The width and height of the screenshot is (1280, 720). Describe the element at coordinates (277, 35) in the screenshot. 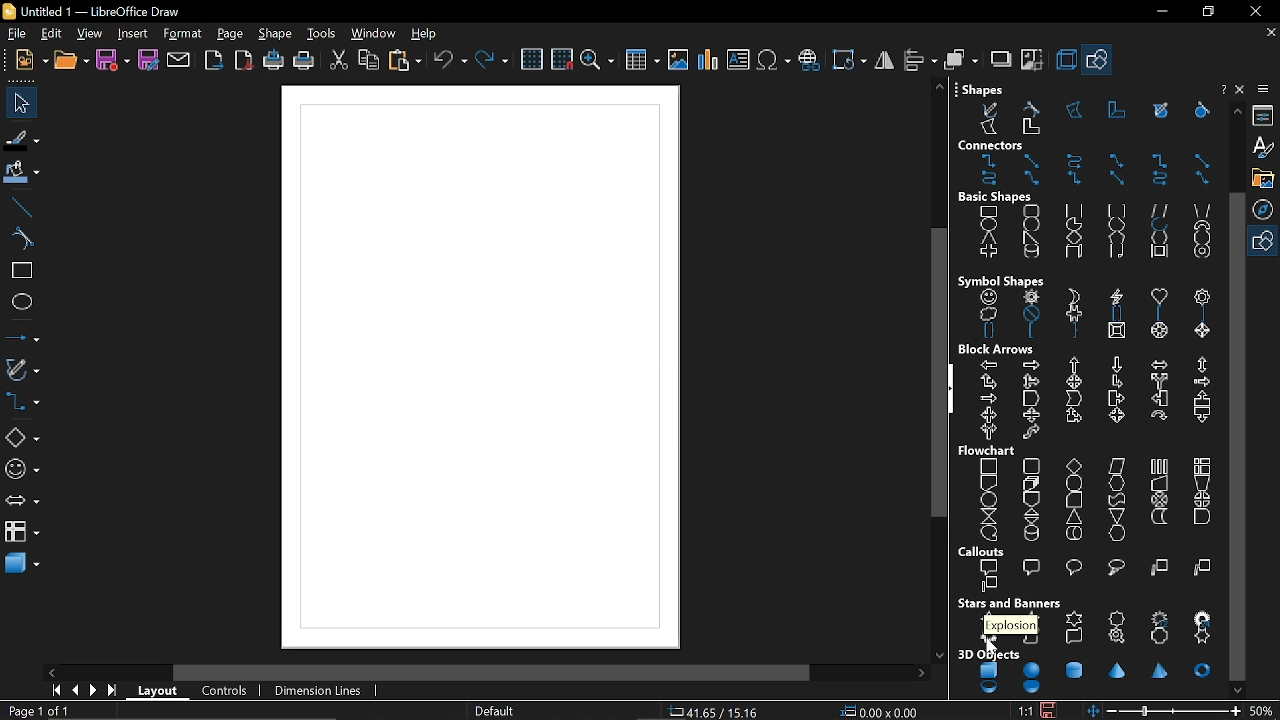

I see `shape` at that location.